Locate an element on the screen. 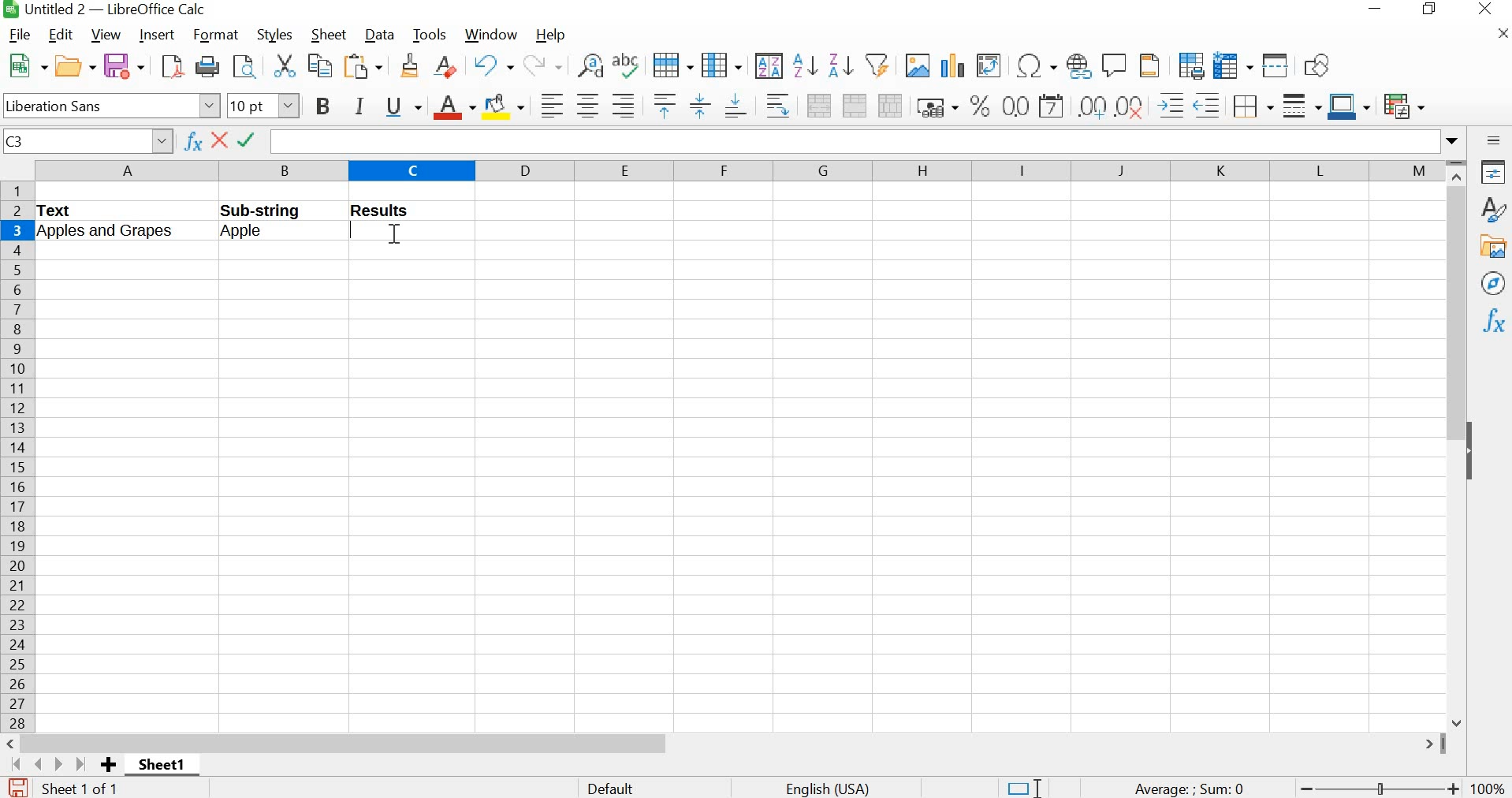  remove decimal place is located at coordinates (1092, 106).